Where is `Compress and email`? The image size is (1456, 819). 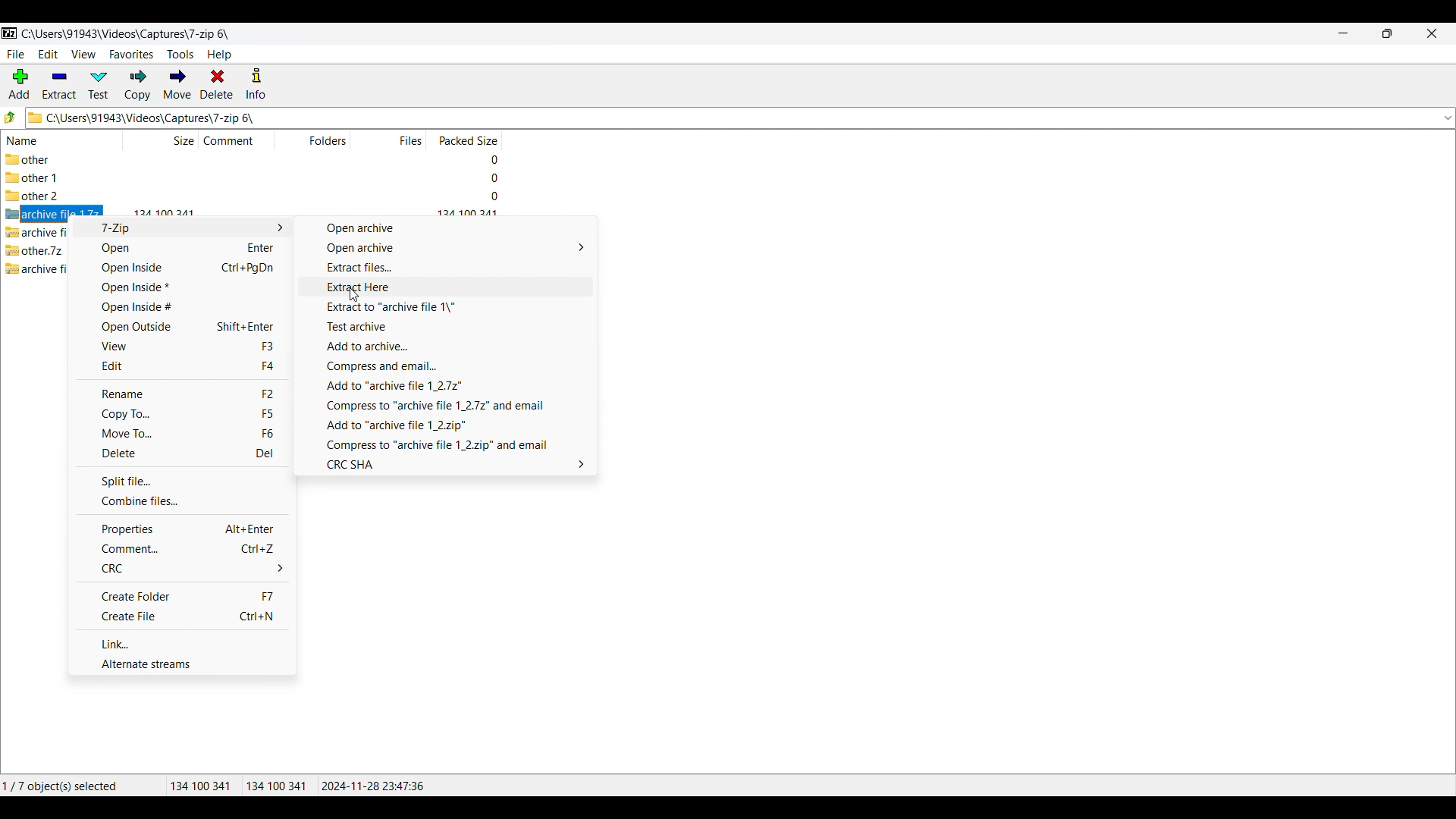
Compress and email is located at coordinates (448, 366).